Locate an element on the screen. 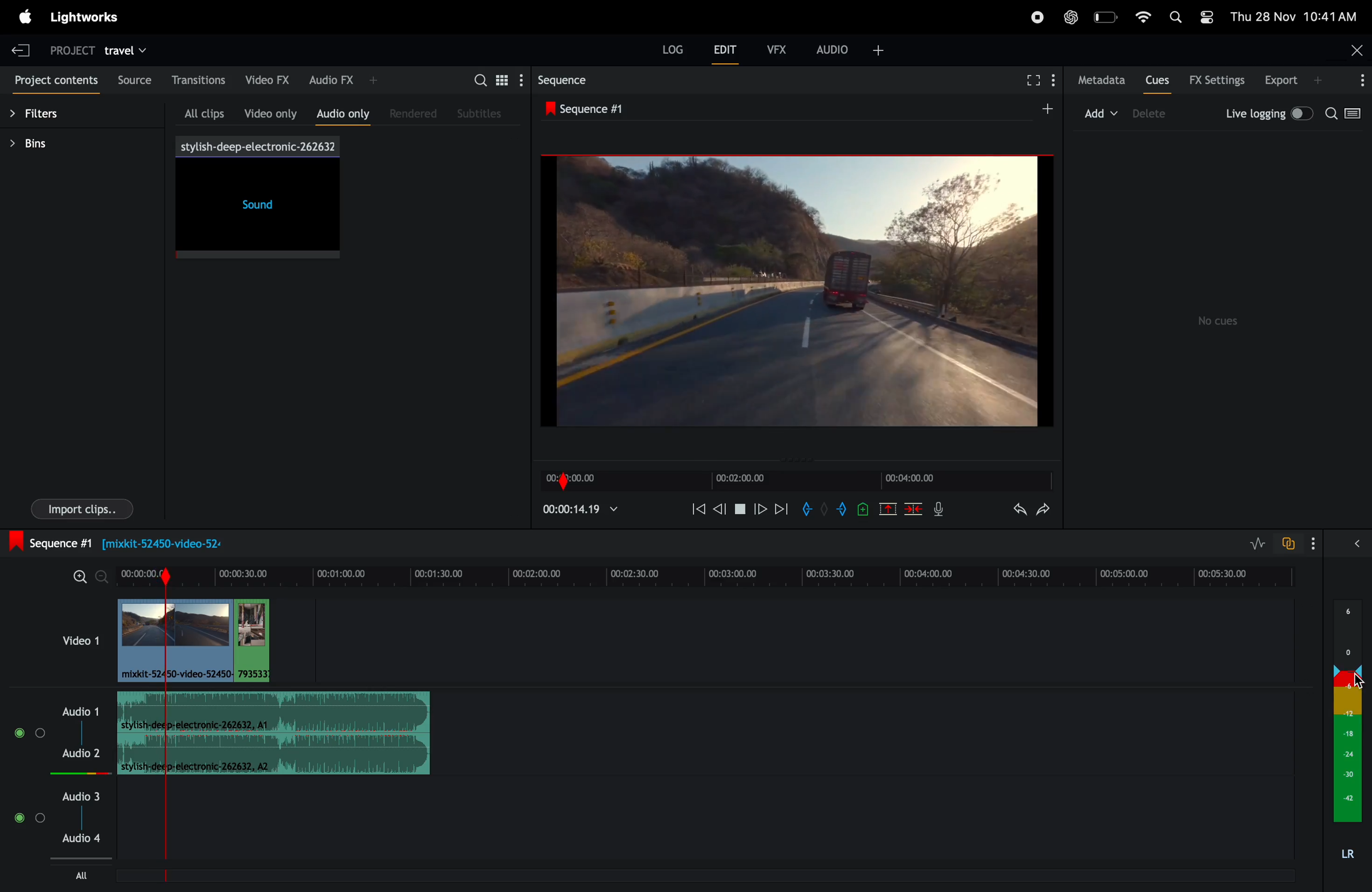 The height and width of the screenshot is (892, 1372). play time is located at coordinates (584, 512).